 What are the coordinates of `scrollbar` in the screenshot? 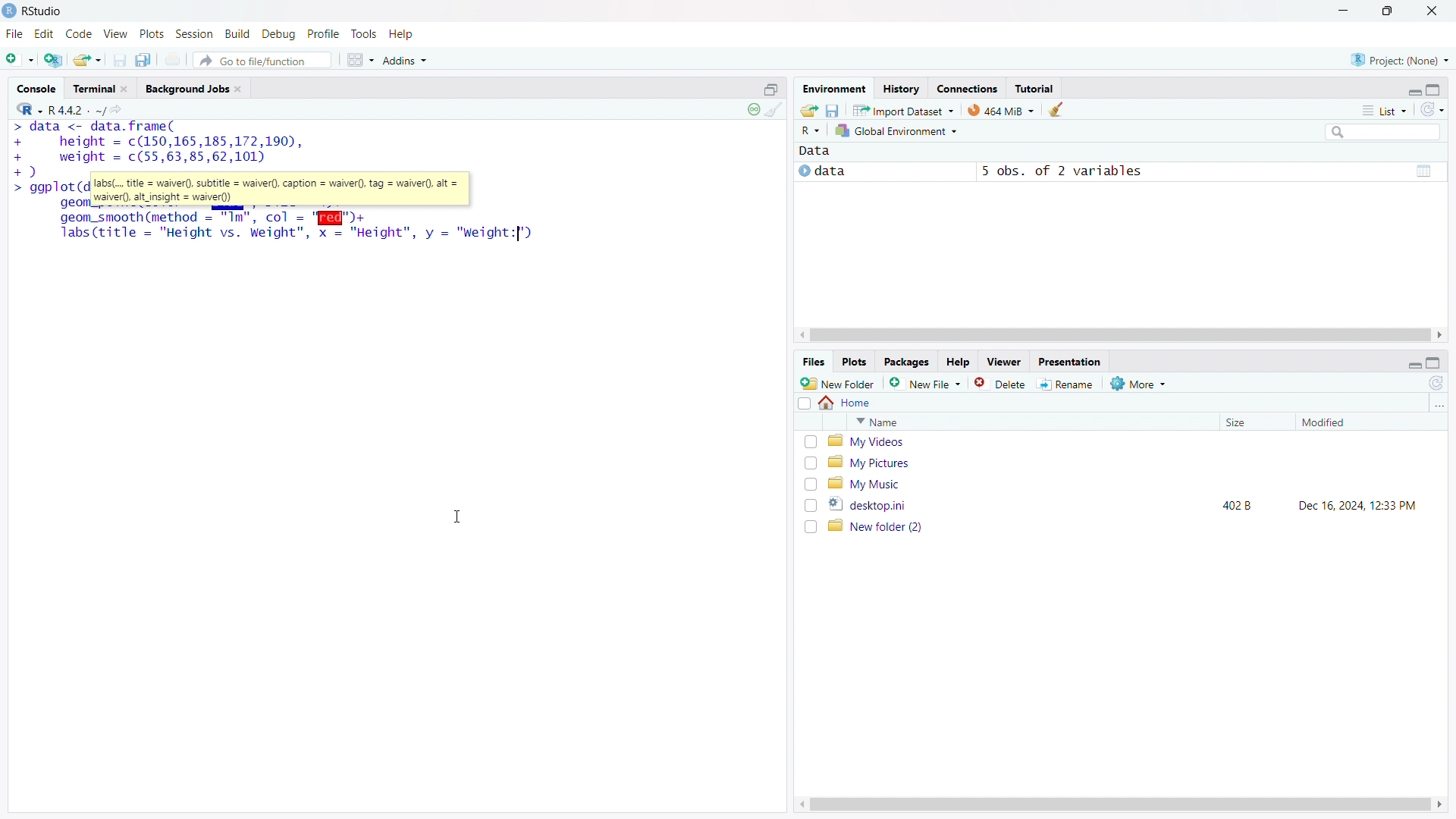 It's located at (1119, 336).